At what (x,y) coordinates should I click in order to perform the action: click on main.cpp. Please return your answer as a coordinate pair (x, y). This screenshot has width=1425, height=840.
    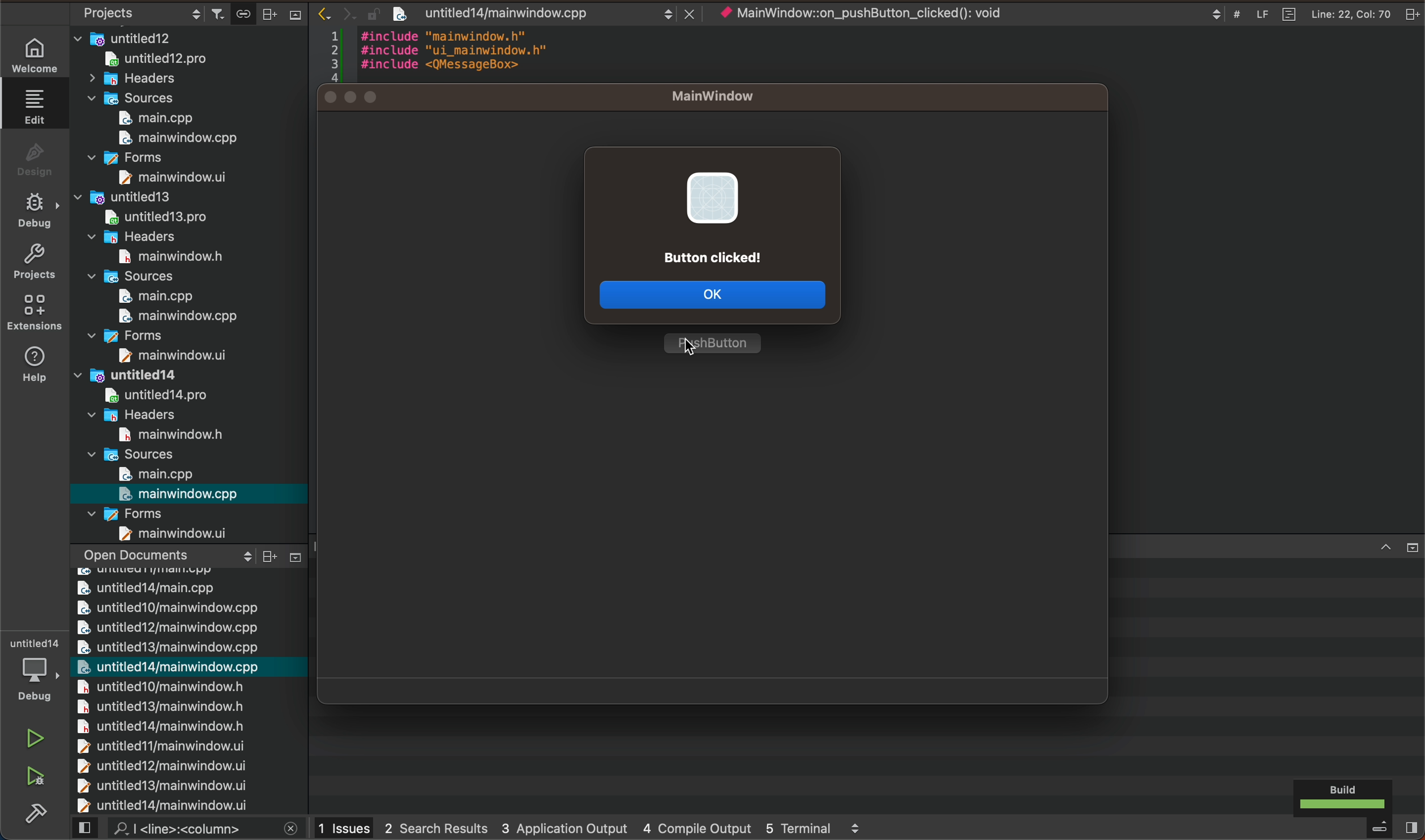
    Looking at the image, I should click on (147, 297).